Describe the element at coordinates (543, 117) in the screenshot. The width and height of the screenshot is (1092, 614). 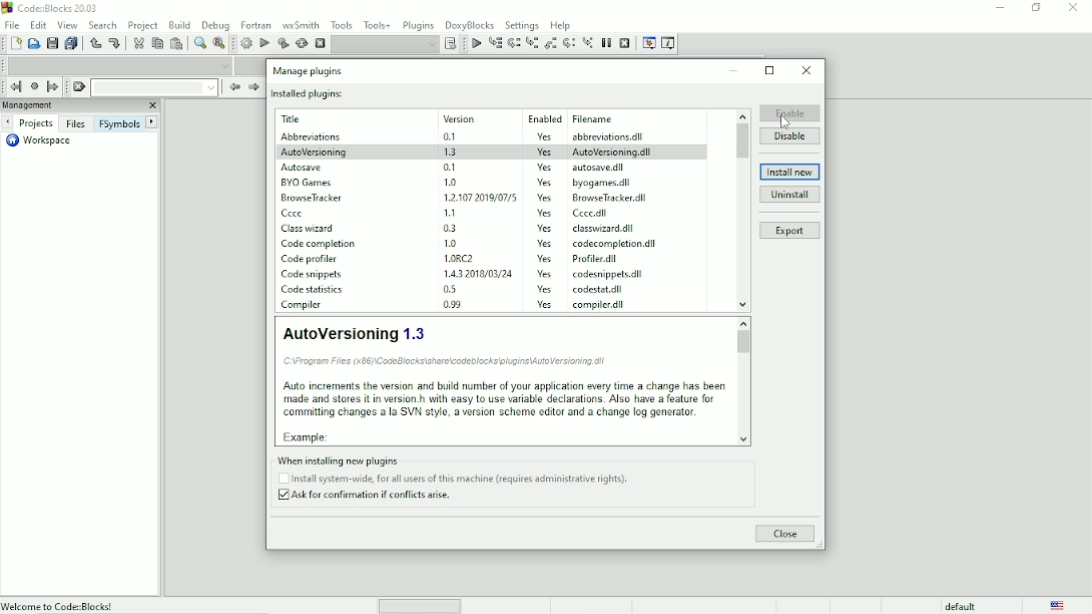
I see `Enabled` at that location.